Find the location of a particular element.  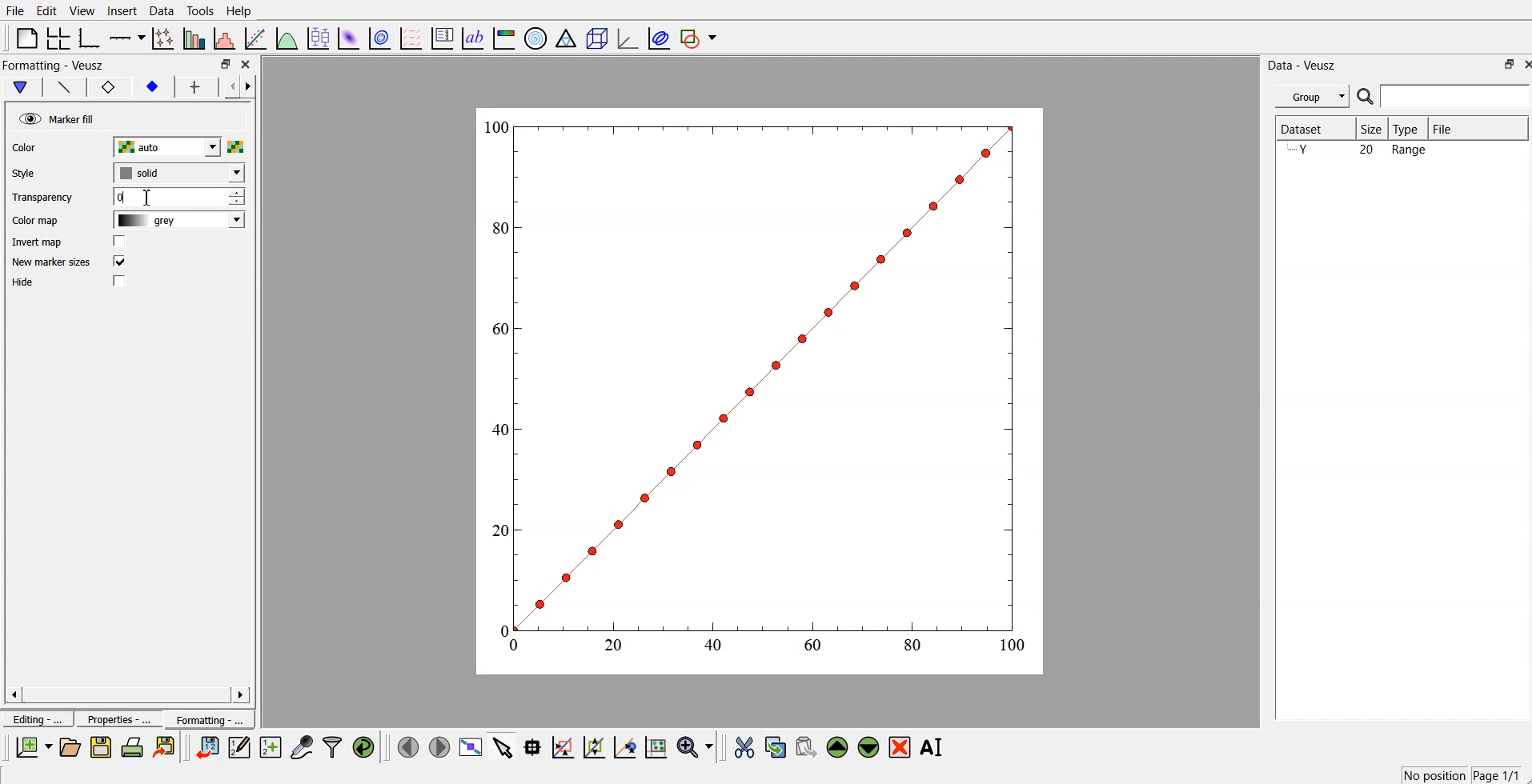

Group is located at coordinates (1309, 97).